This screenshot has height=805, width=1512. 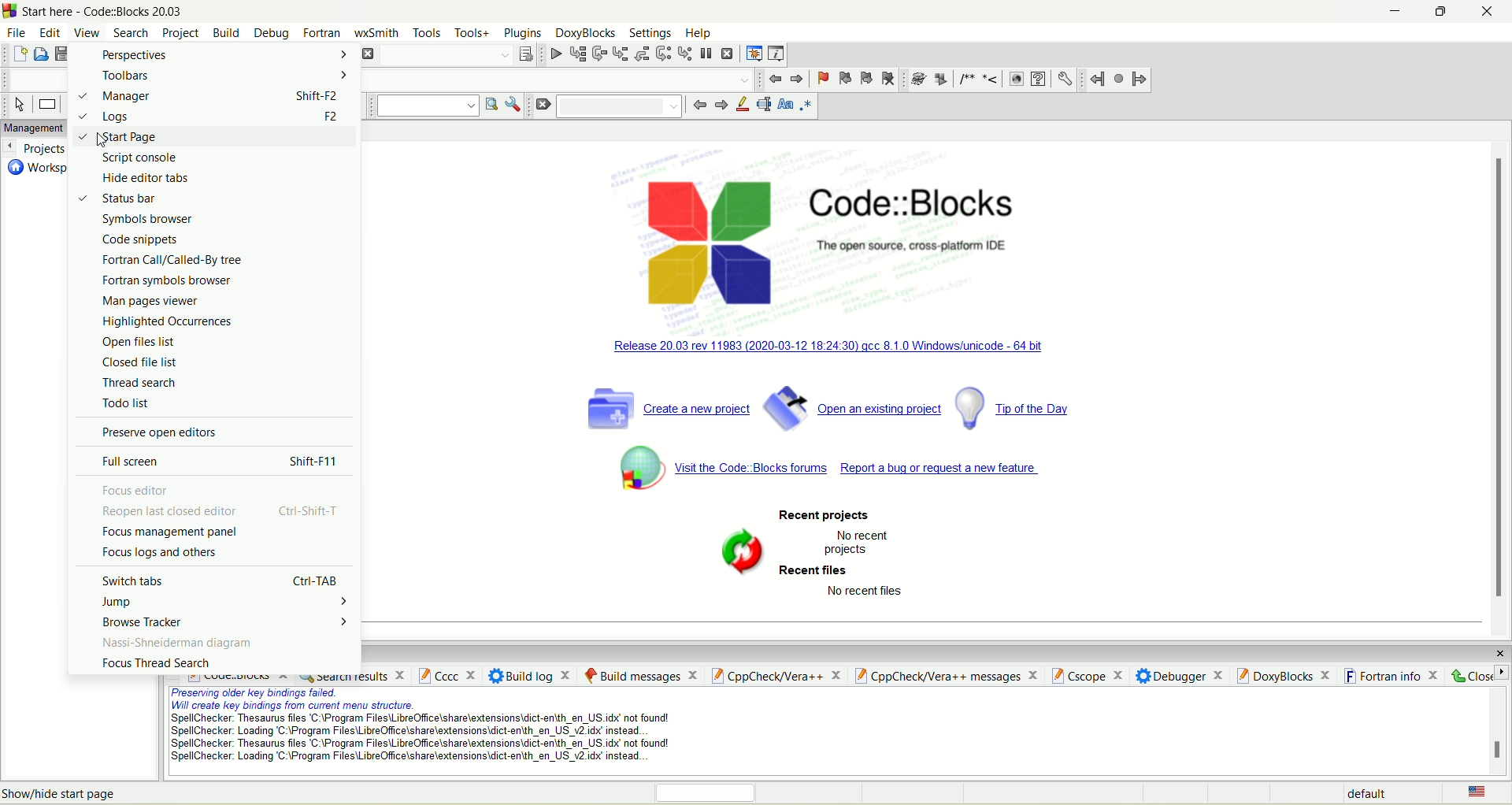 I want to click on Preserving older key bindings failed.

Will create key bindings from current menu structure.

SpellChecker: Thesaurus files ‘C:\Program Files\LibreOffce\share\extensions\dict-enth_en_US id not found!
SpellChecker: Loading C:\Program Files\LibreOffice\sharetextensionsdict-enlth_en_US_v2 idx instead
SpellChecker: Thesaurus files C:\Program Files\LibreOffce\sharelextensions\dict-enth en_US. idx not found!
SpellChecker: Loading C:\Program Files\LibreOfice\sharelextensions\dict-enlth_en_US_v2idx instead, so click(x=413, y=729).